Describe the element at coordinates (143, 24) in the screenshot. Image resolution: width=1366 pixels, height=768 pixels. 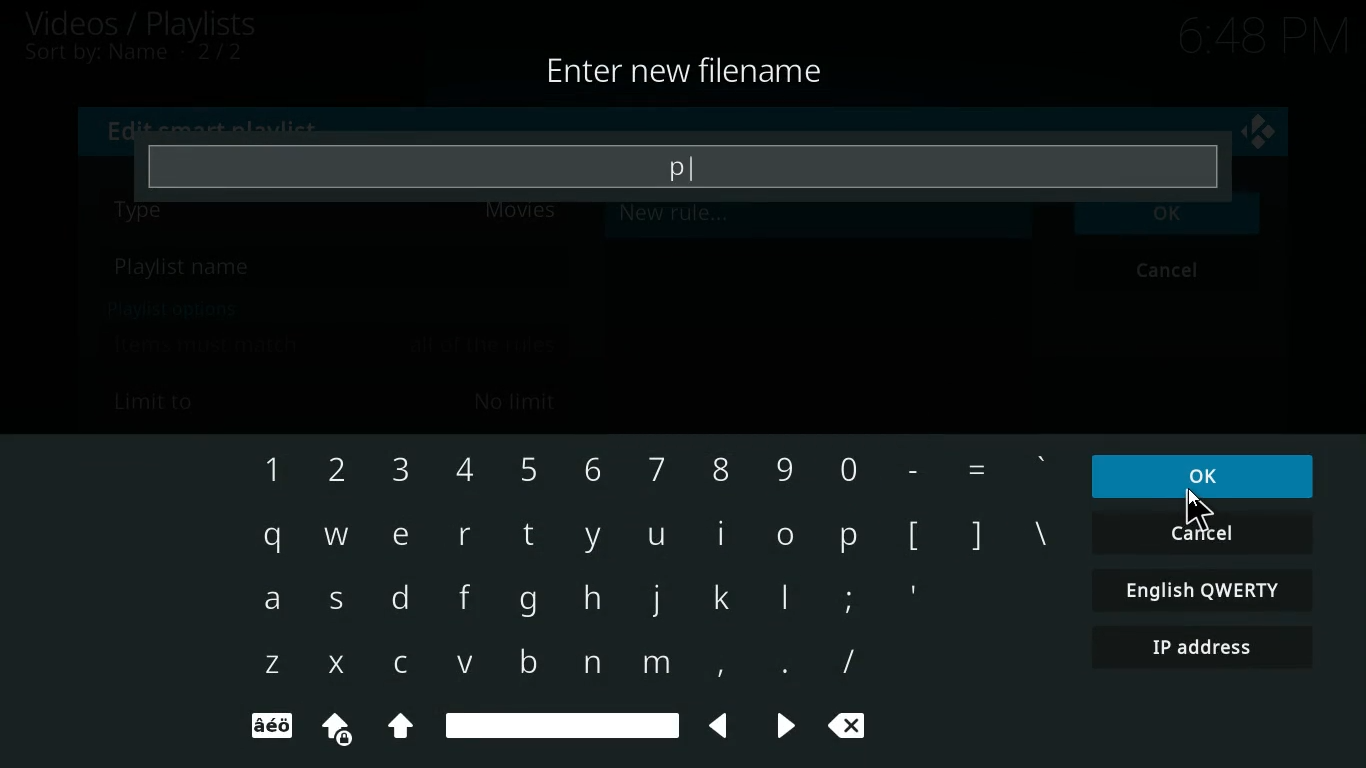
I see `videos/plaaylists` at that location.